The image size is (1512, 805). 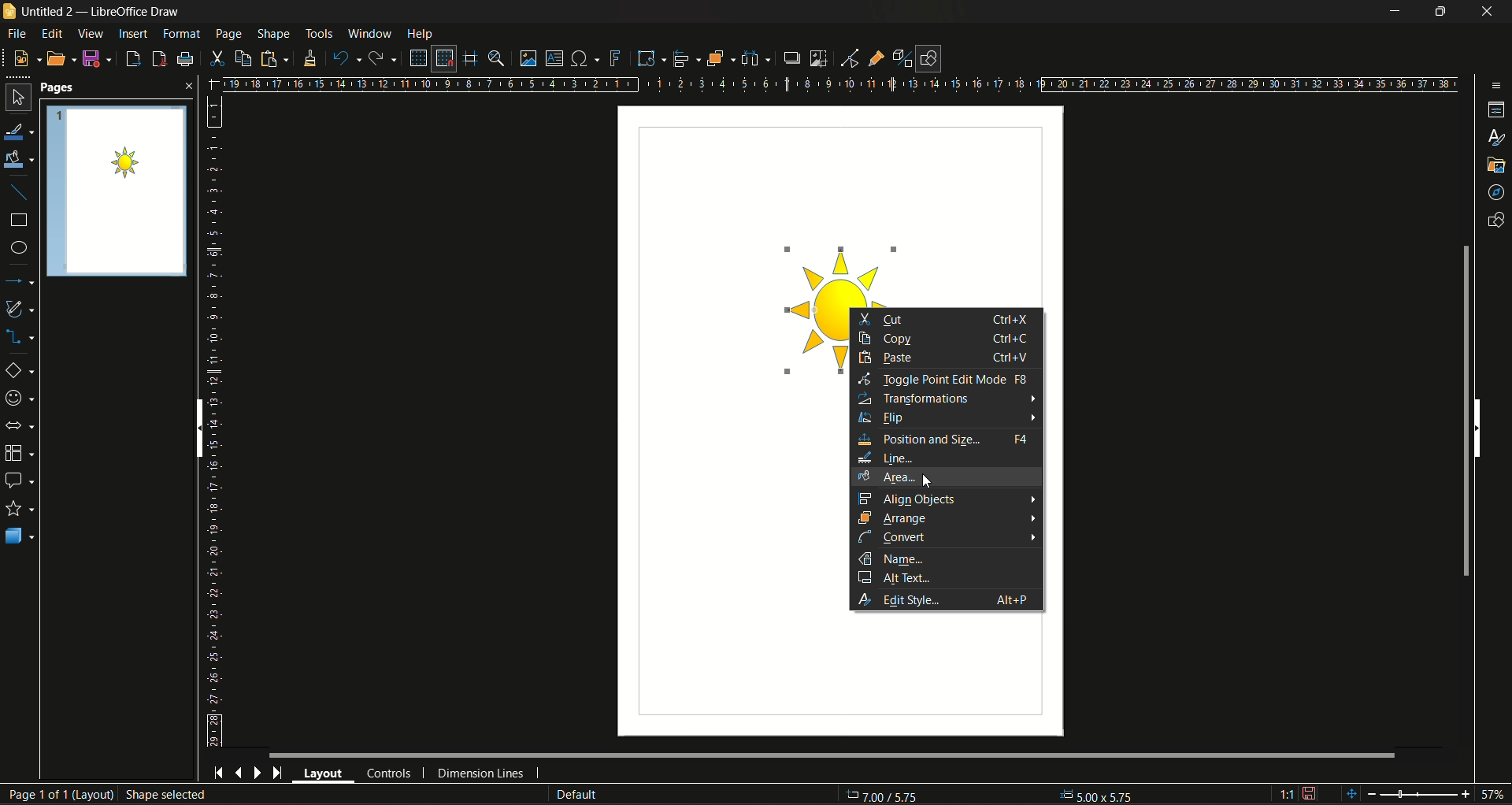 I want to click on alt text, so click(x=899, y=577).